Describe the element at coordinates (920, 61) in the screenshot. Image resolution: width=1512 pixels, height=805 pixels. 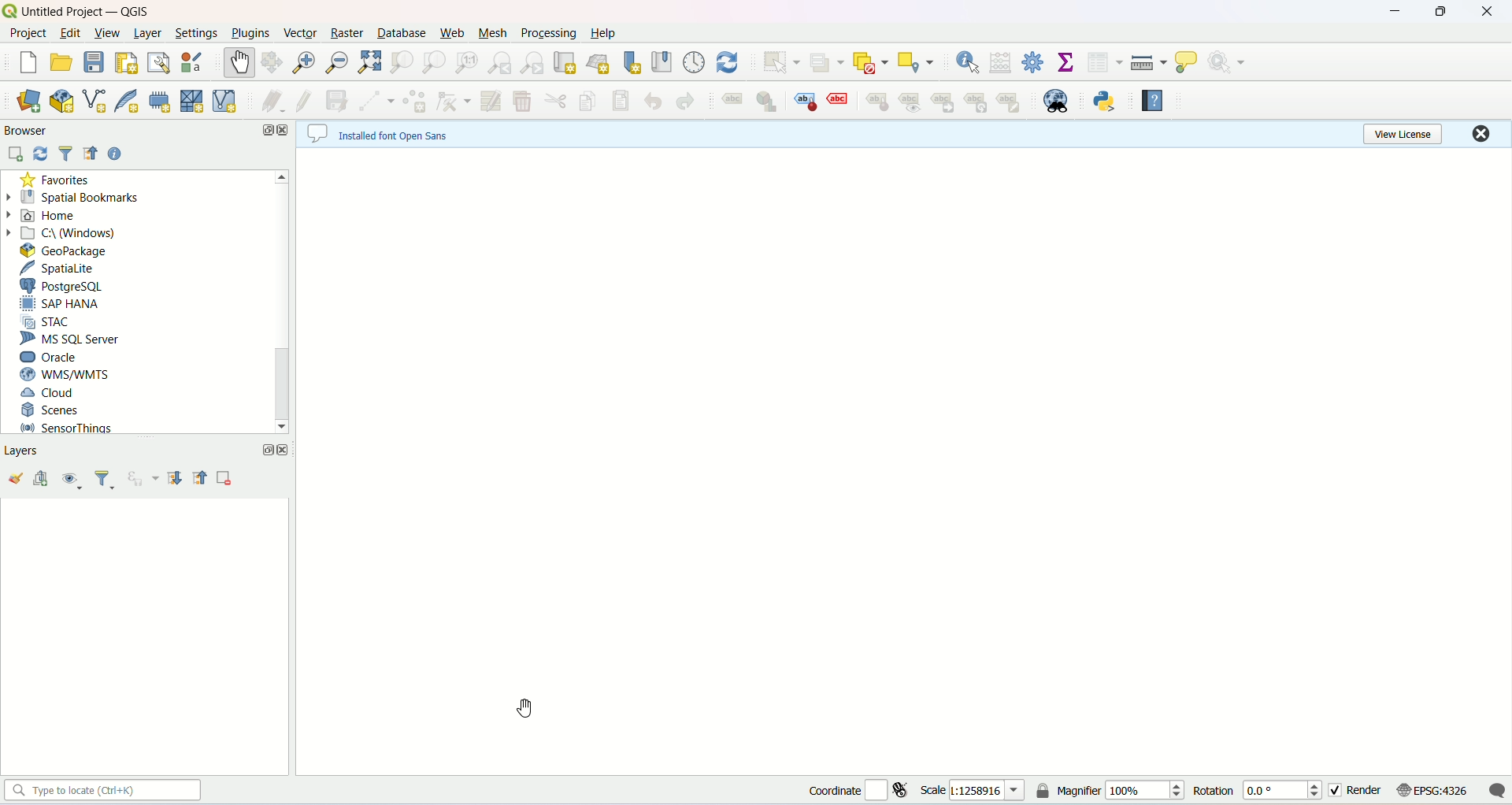
I see `select by location` at that location.